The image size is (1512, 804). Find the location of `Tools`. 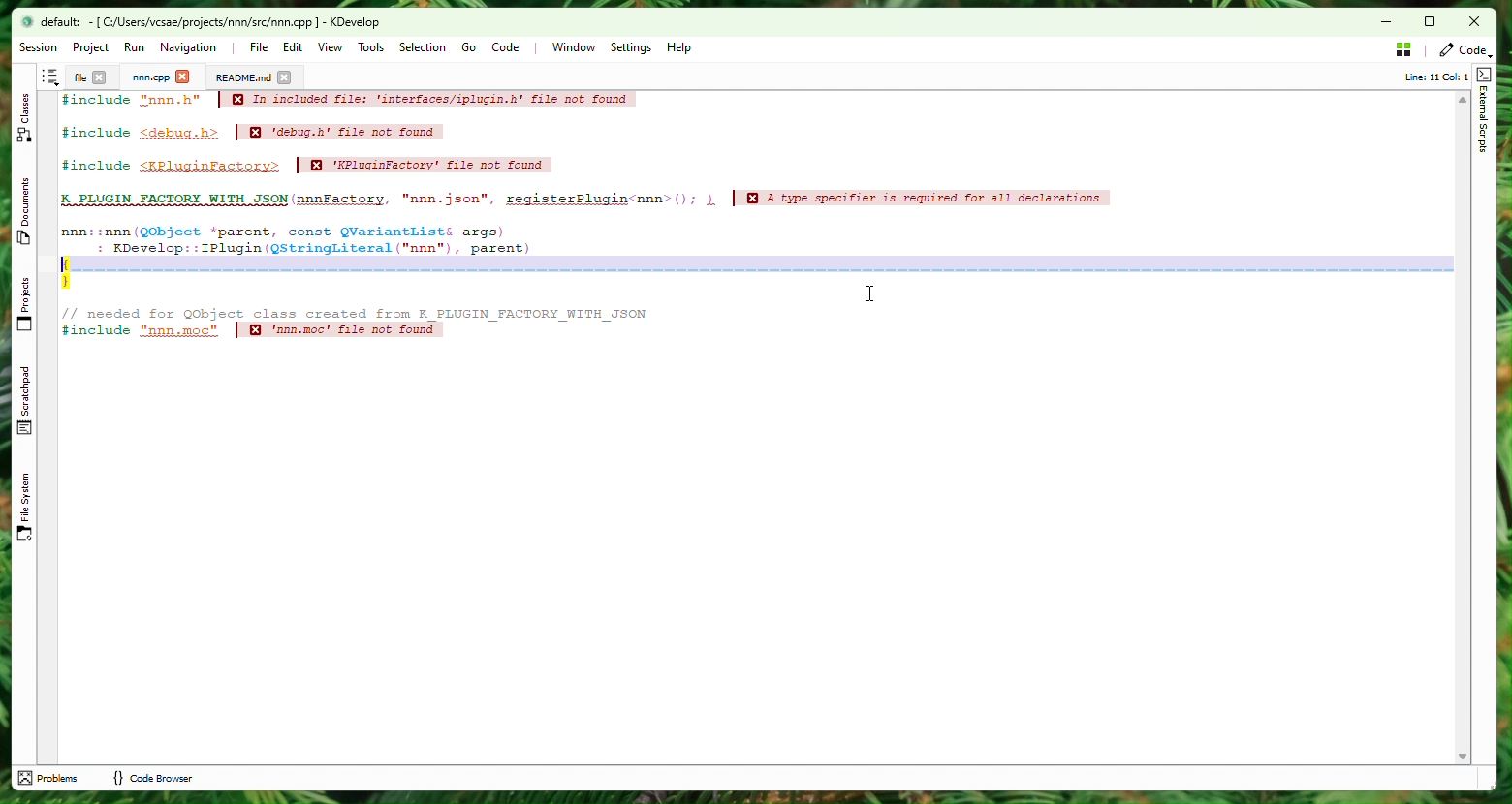

Tools is located at coordinates (371, 48).